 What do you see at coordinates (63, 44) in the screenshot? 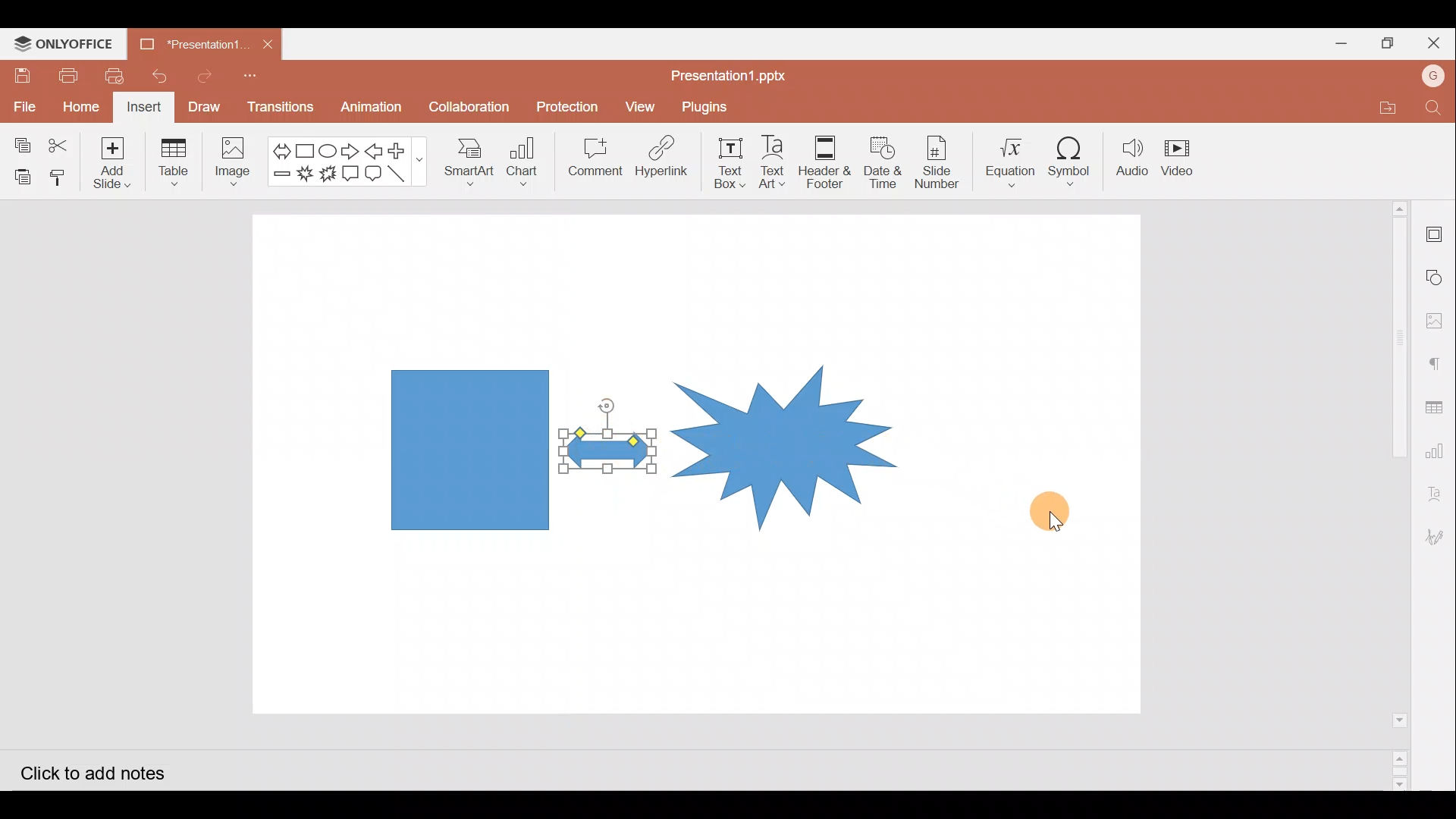
I see `ONLYOFFICE` at bounding box center [63, 44].